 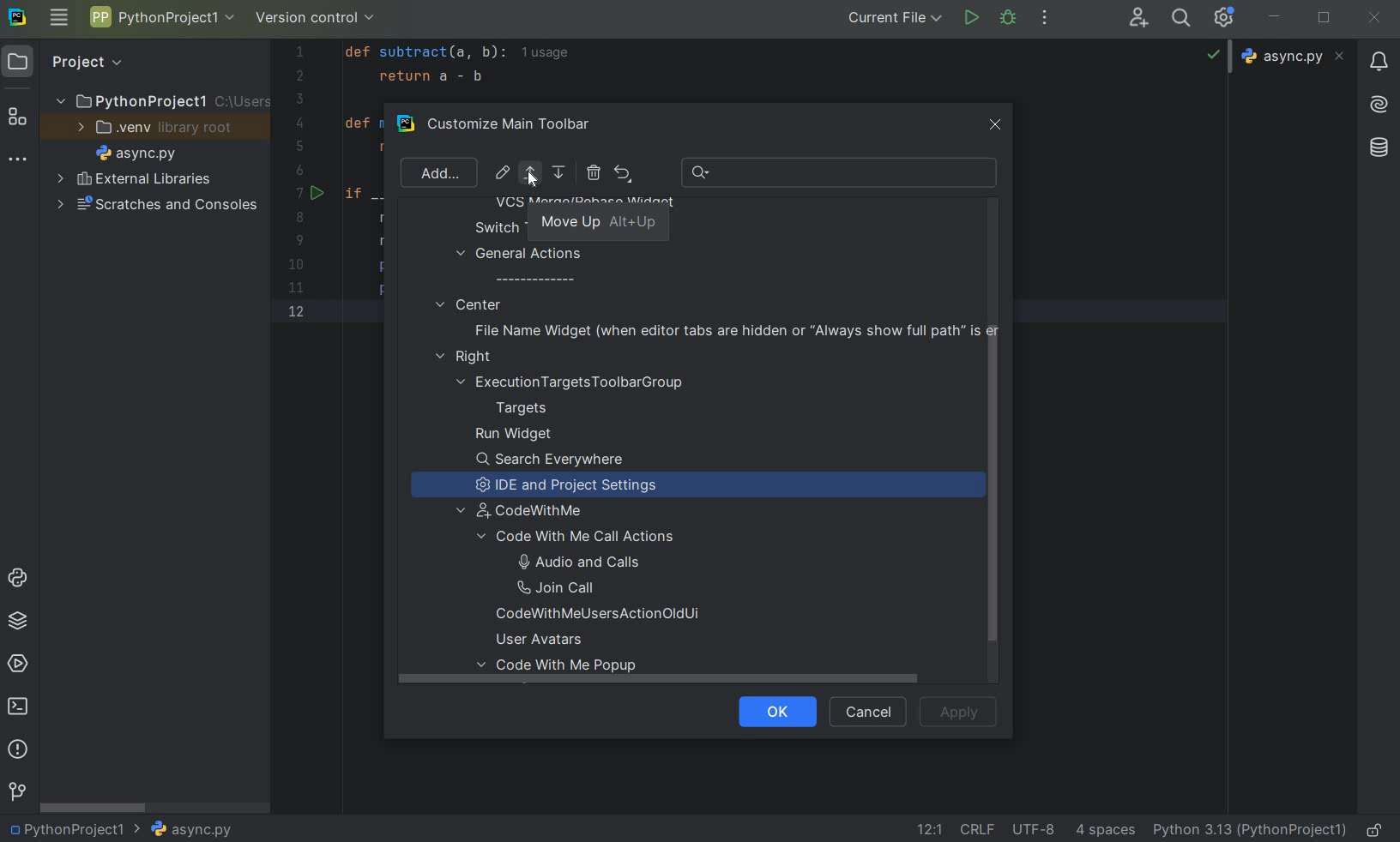 What do you see at coordinates (564, 670) in the screenshot?
I see `code with me popup` at bounding box center [564, 670].